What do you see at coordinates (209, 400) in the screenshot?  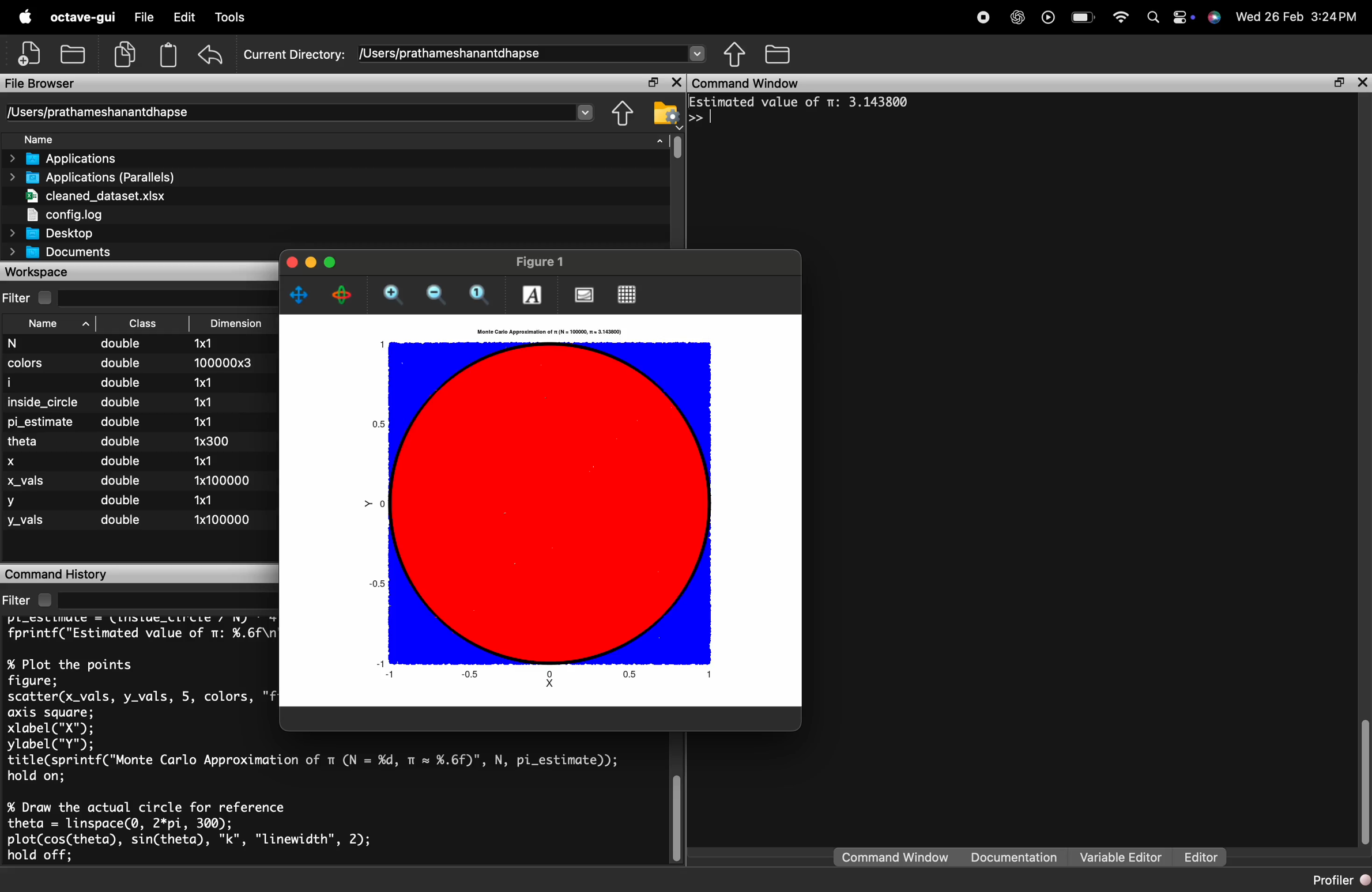 I see `1x1` at bounding box center [209, 400].